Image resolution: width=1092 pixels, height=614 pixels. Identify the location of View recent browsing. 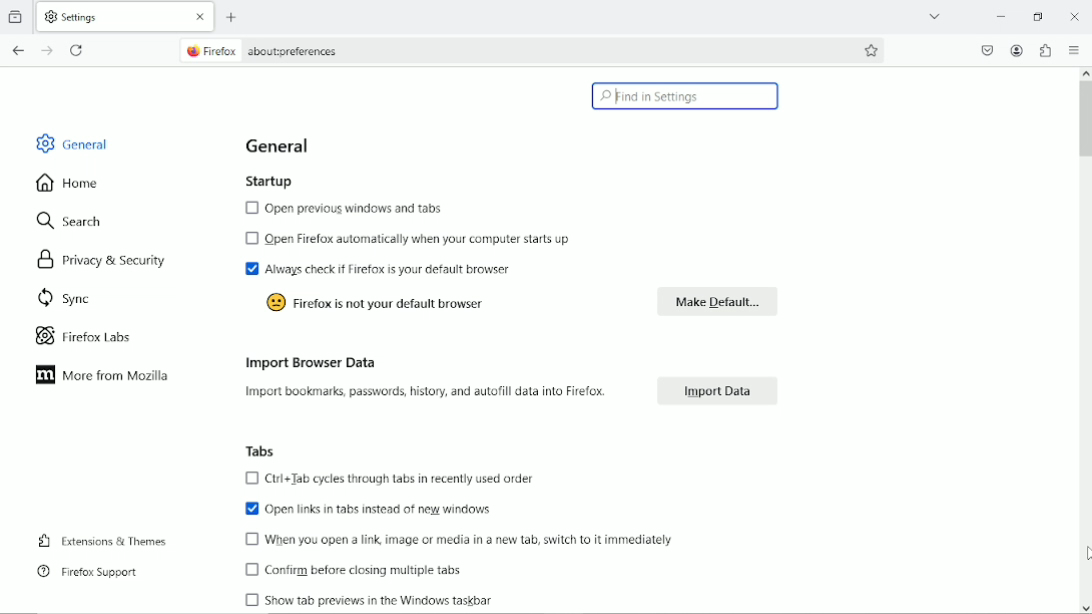
(17, 16).